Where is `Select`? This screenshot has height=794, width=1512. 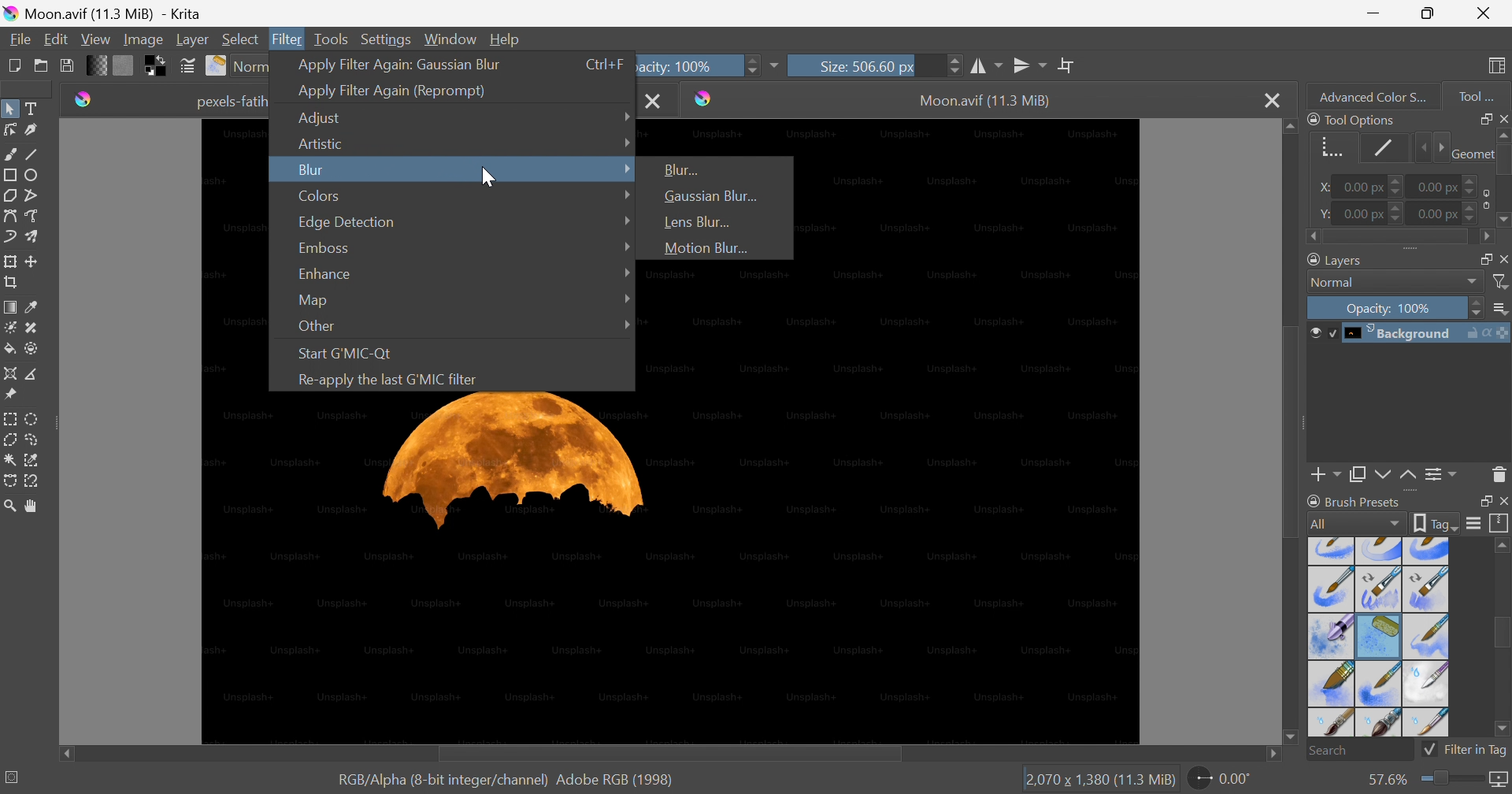 Select is located at coordinates (241, 39).